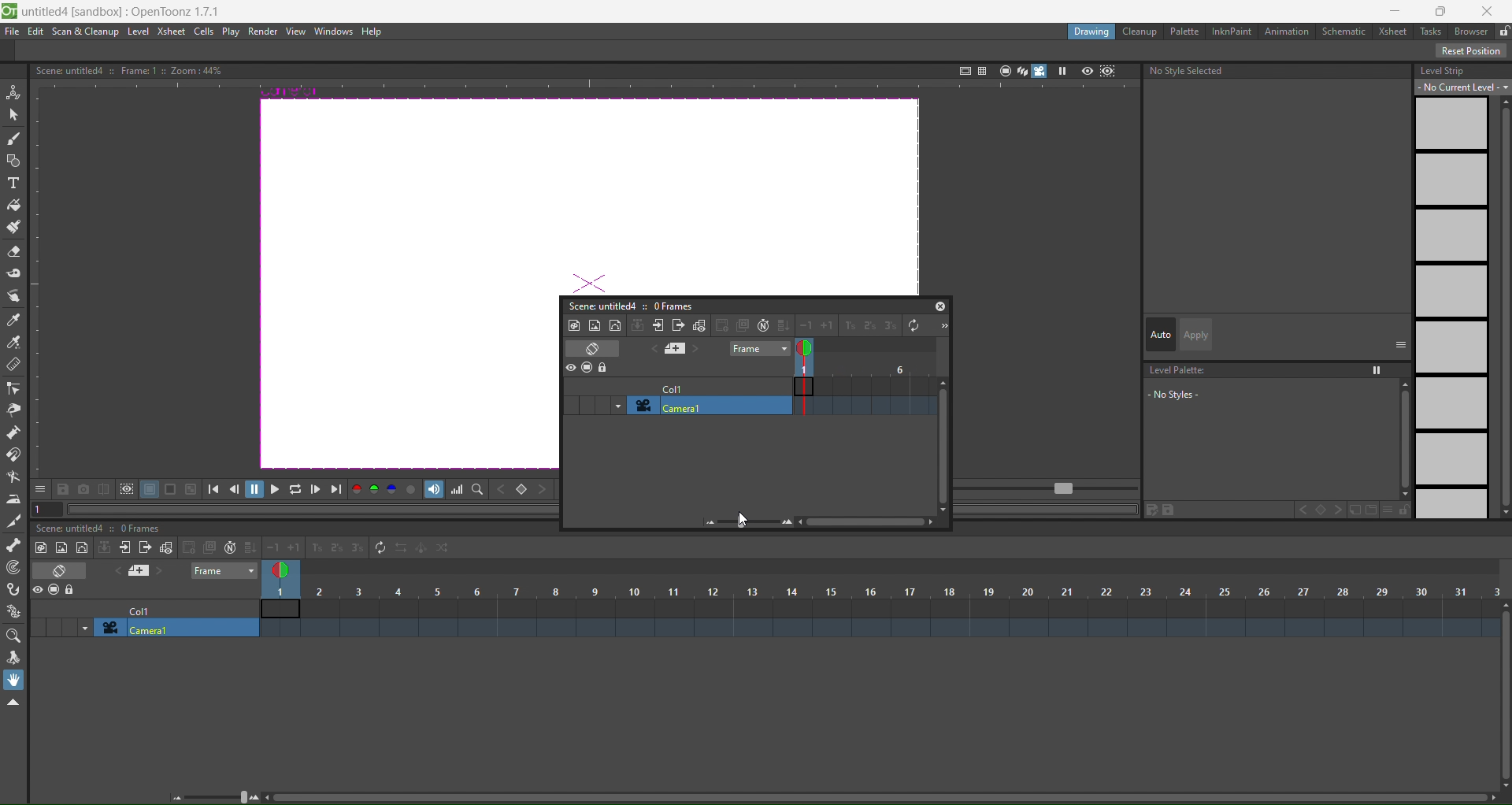 Image resolution: width=1512 pixels, height=805 pixels. I want to click on auto input cell number, so click(762, 325).